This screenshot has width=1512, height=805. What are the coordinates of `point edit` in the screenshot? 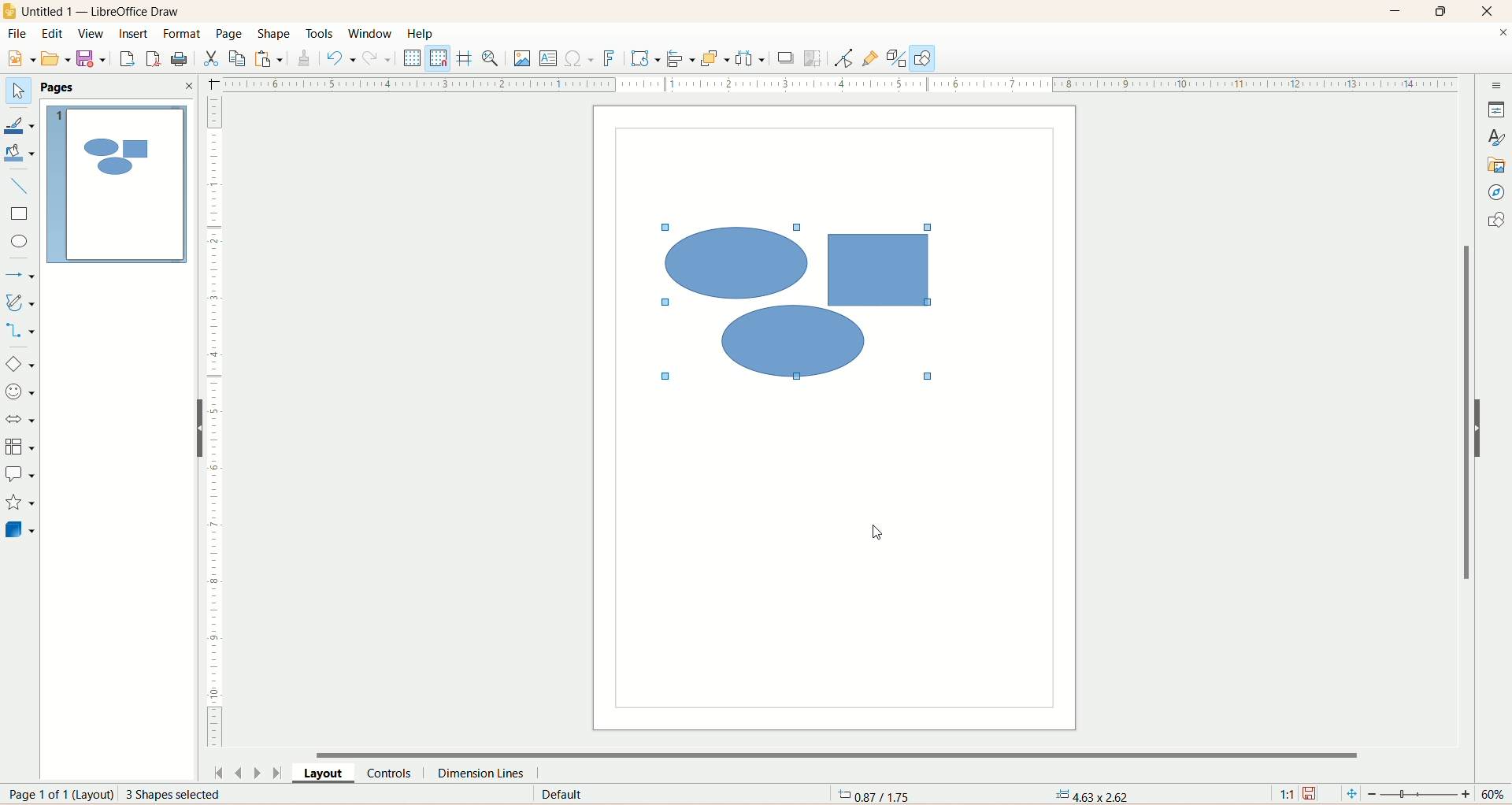 It's located at (841, 58).